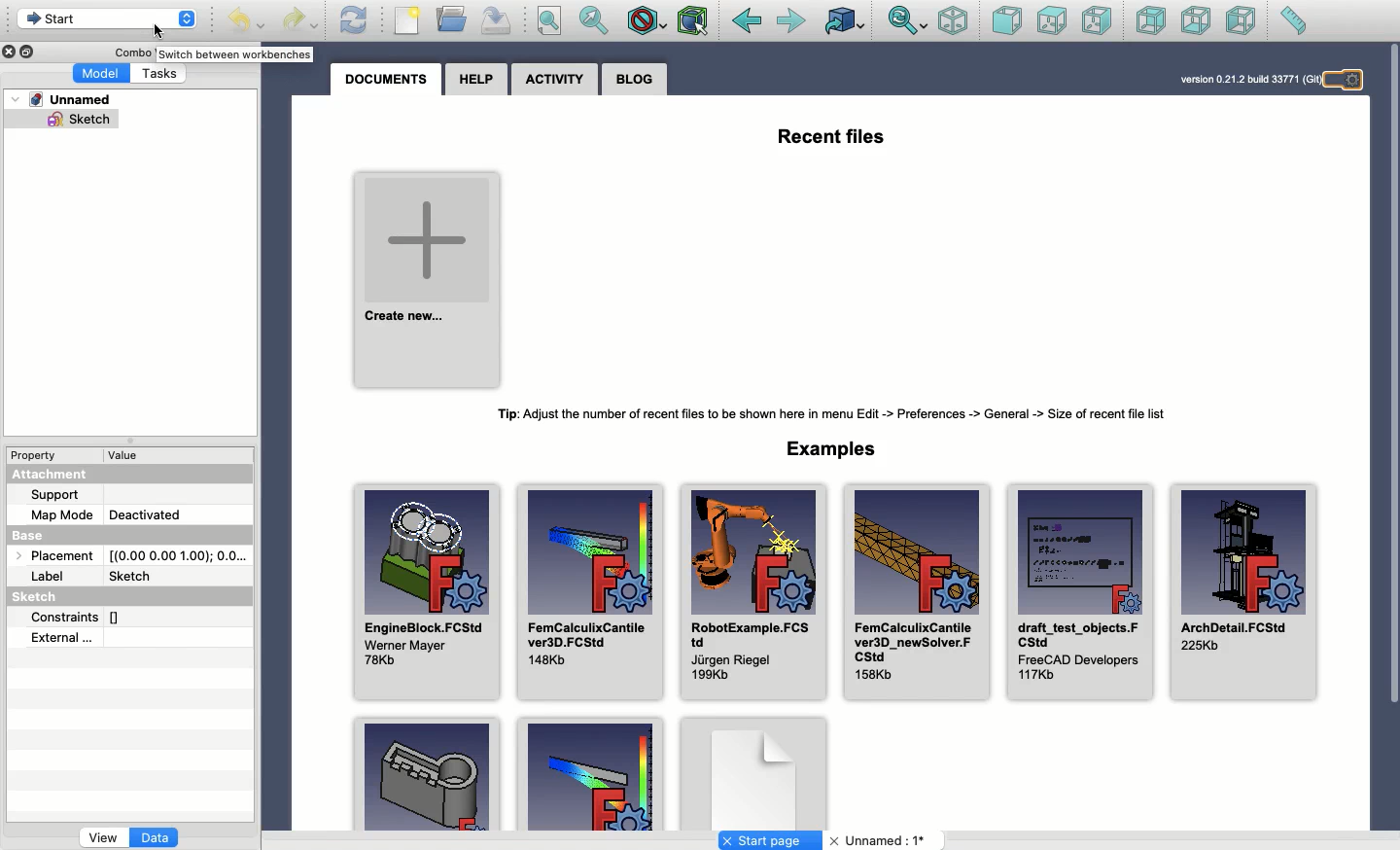 The height and width of the screenshot is (850, 1400). What do you see at coordinates (385, 83) in the screenshot?
I see `Documents` at bounding box center [385, 83].